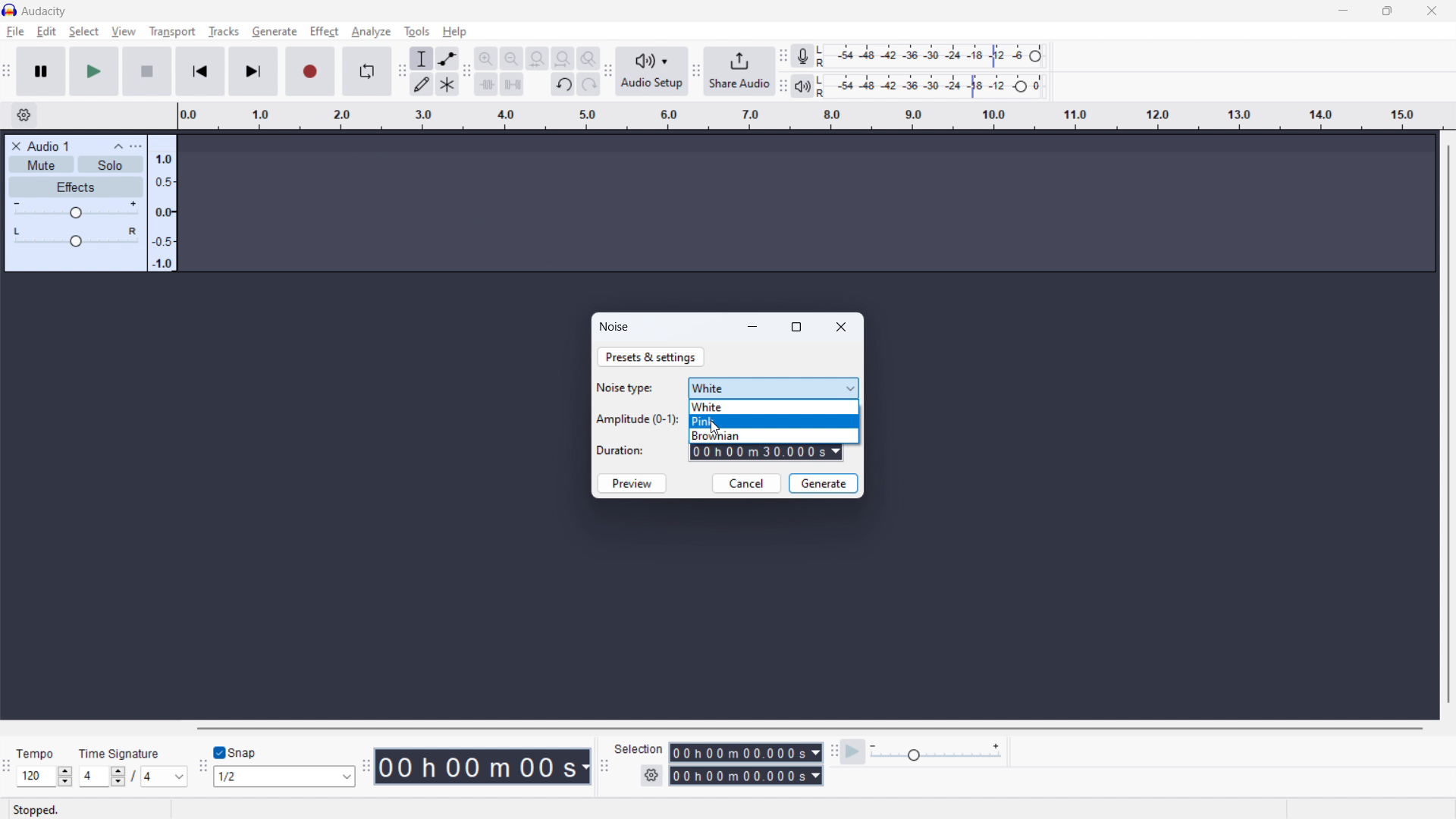 The height and width of the screenshot is (819, 1456). What do you see at coordinates (824, 483) in the screenshot?
I see `generate` at bounding box center [824, 483].